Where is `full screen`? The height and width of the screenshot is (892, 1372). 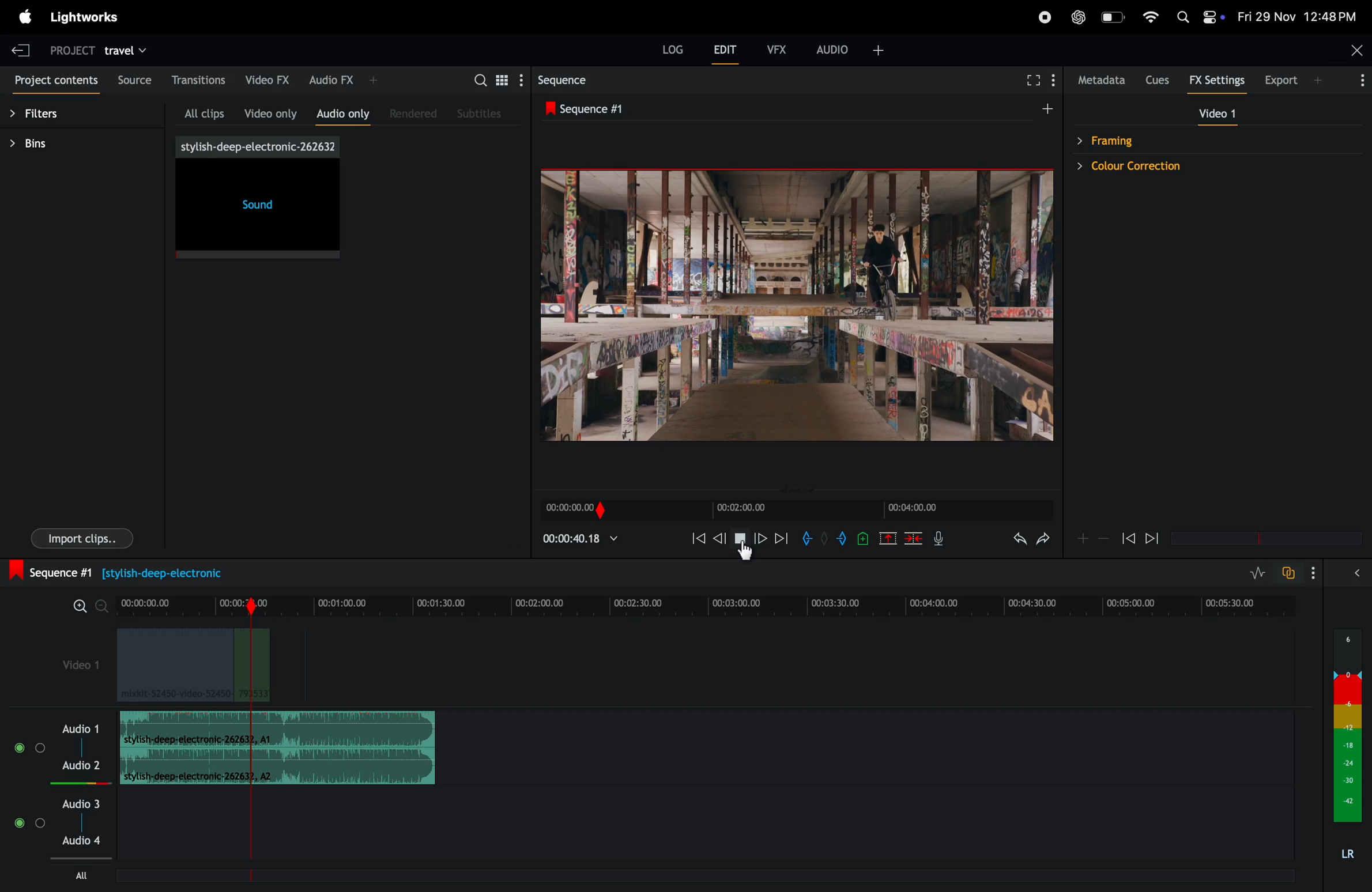
full screen is located at coordinates (1030, 81).